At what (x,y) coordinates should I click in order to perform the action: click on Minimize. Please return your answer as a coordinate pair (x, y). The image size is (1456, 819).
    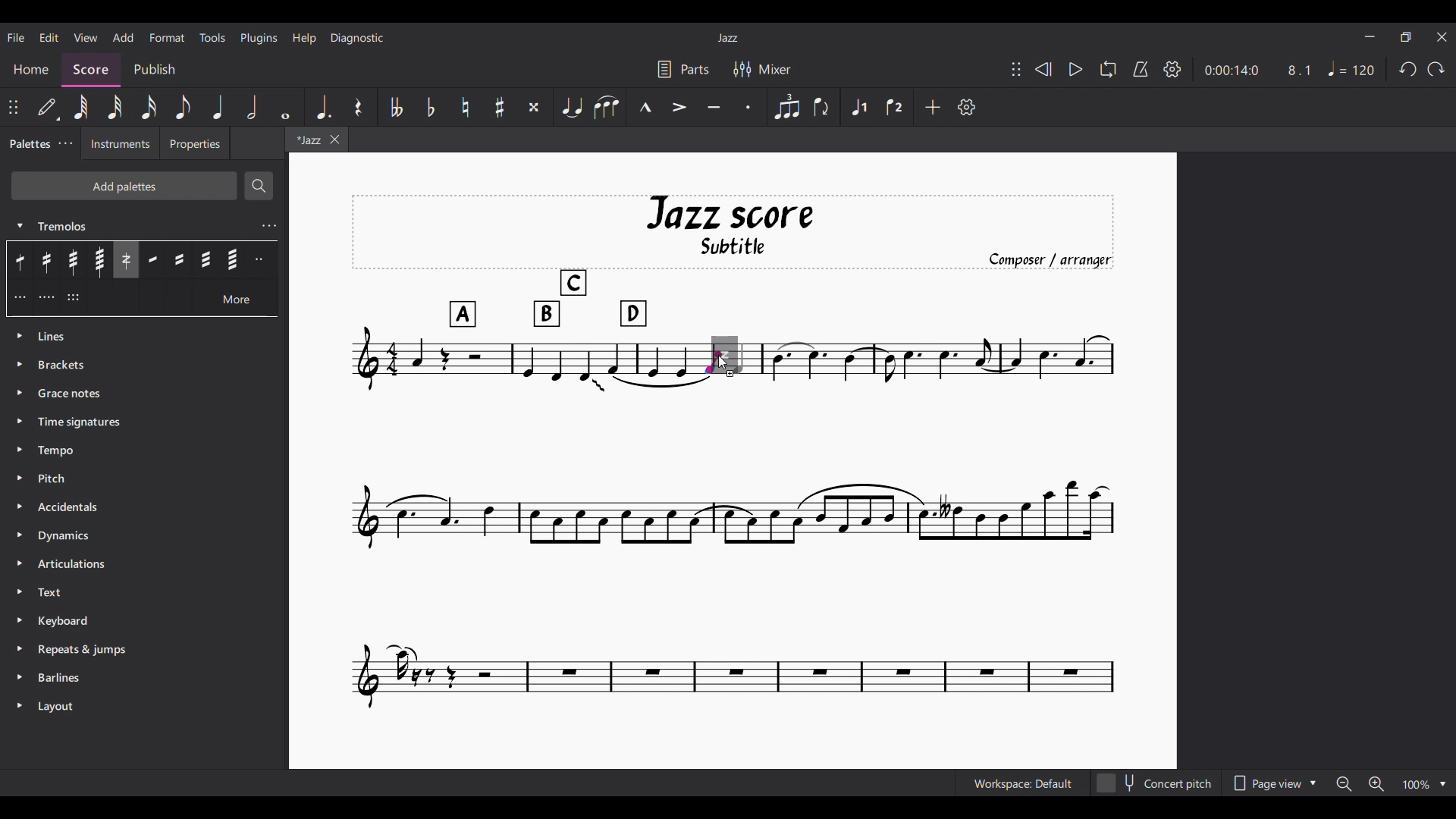
    Looking at the image, I should click on (1370, 36).